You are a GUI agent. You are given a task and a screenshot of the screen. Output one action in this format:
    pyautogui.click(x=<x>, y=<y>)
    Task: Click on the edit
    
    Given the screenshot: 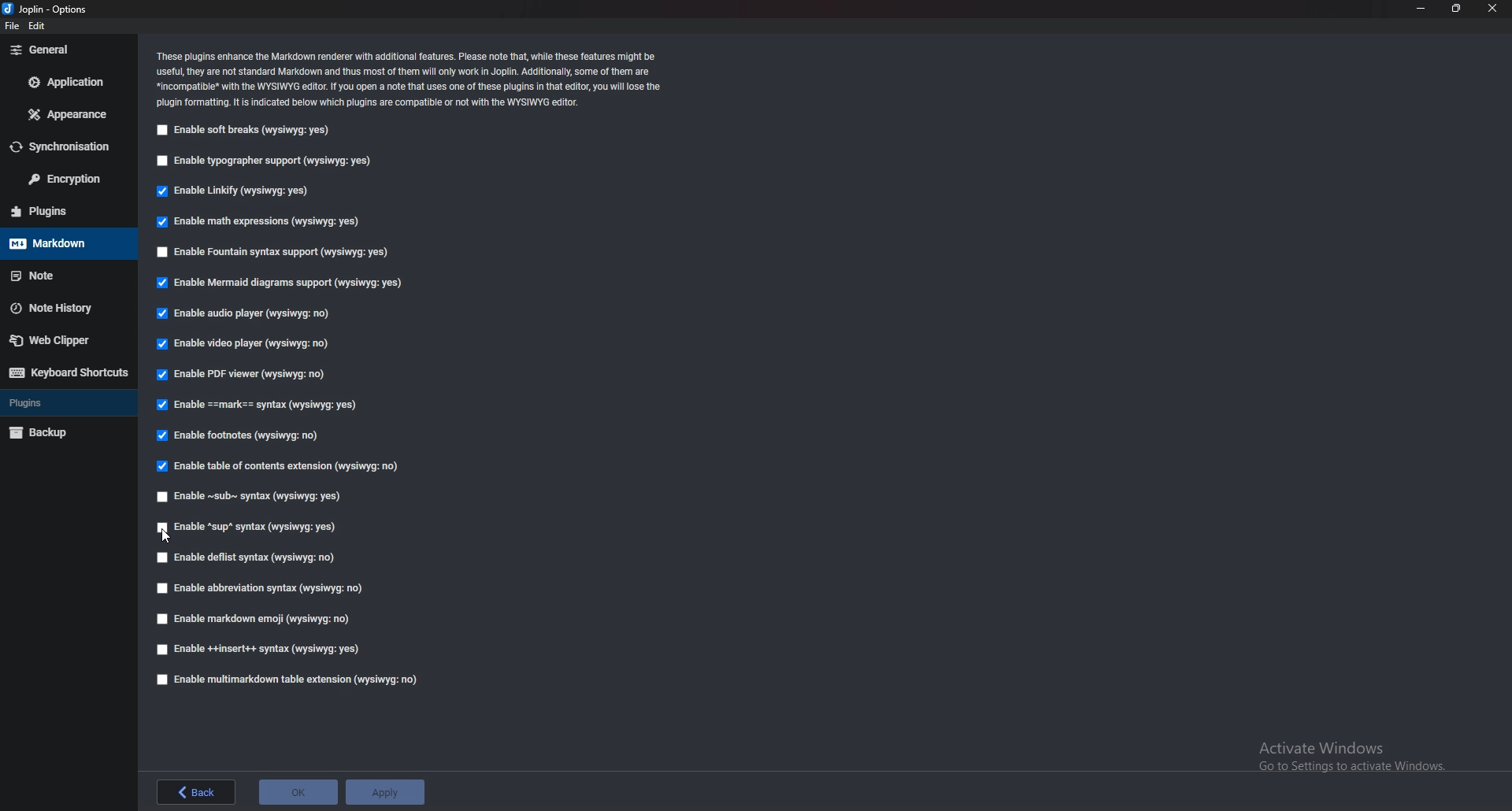 What is the action you would take?
    pyautogui.click(x=46, y=25)
    